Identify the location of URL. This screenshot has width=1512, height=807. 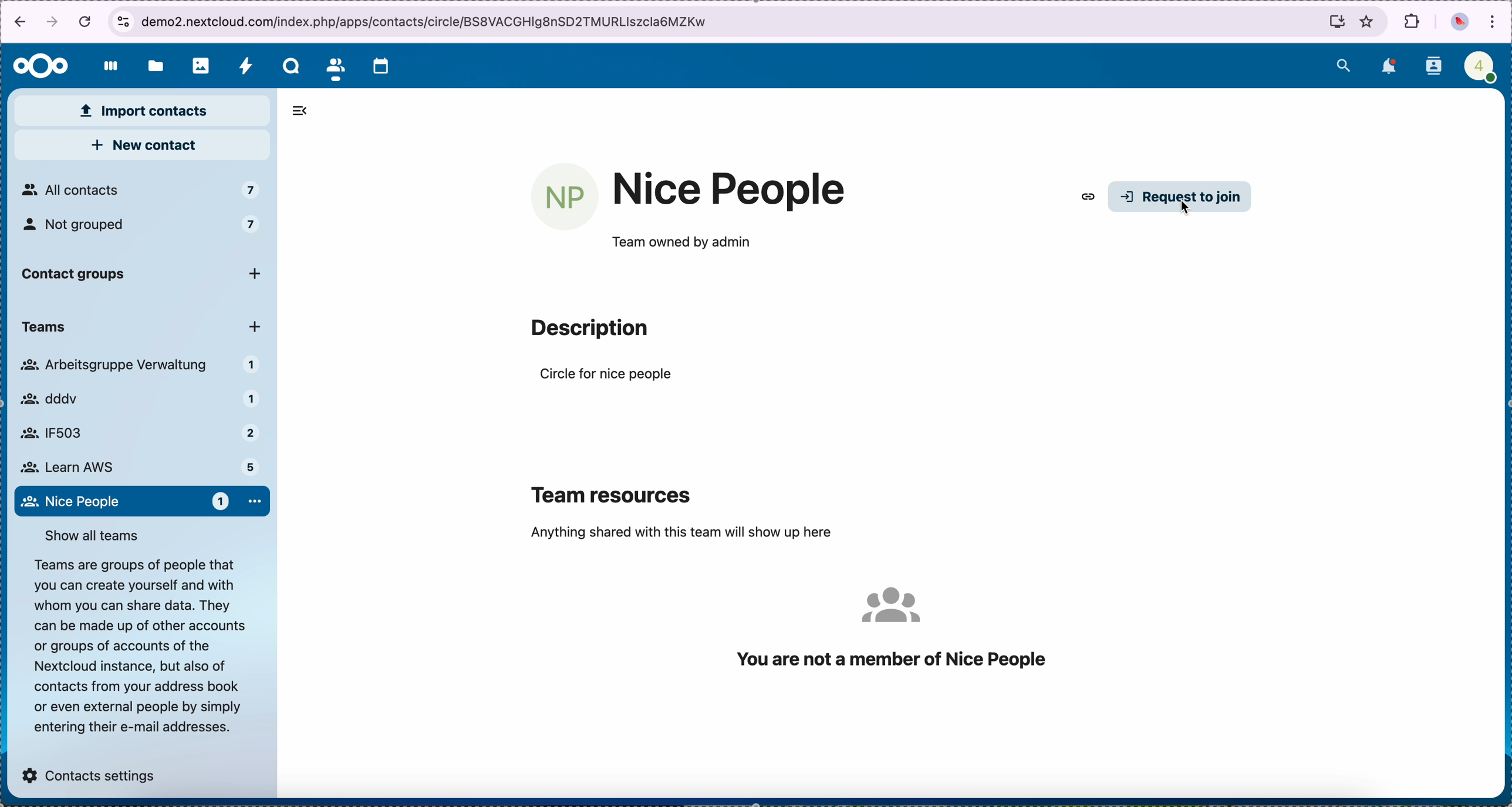
(493, 21).